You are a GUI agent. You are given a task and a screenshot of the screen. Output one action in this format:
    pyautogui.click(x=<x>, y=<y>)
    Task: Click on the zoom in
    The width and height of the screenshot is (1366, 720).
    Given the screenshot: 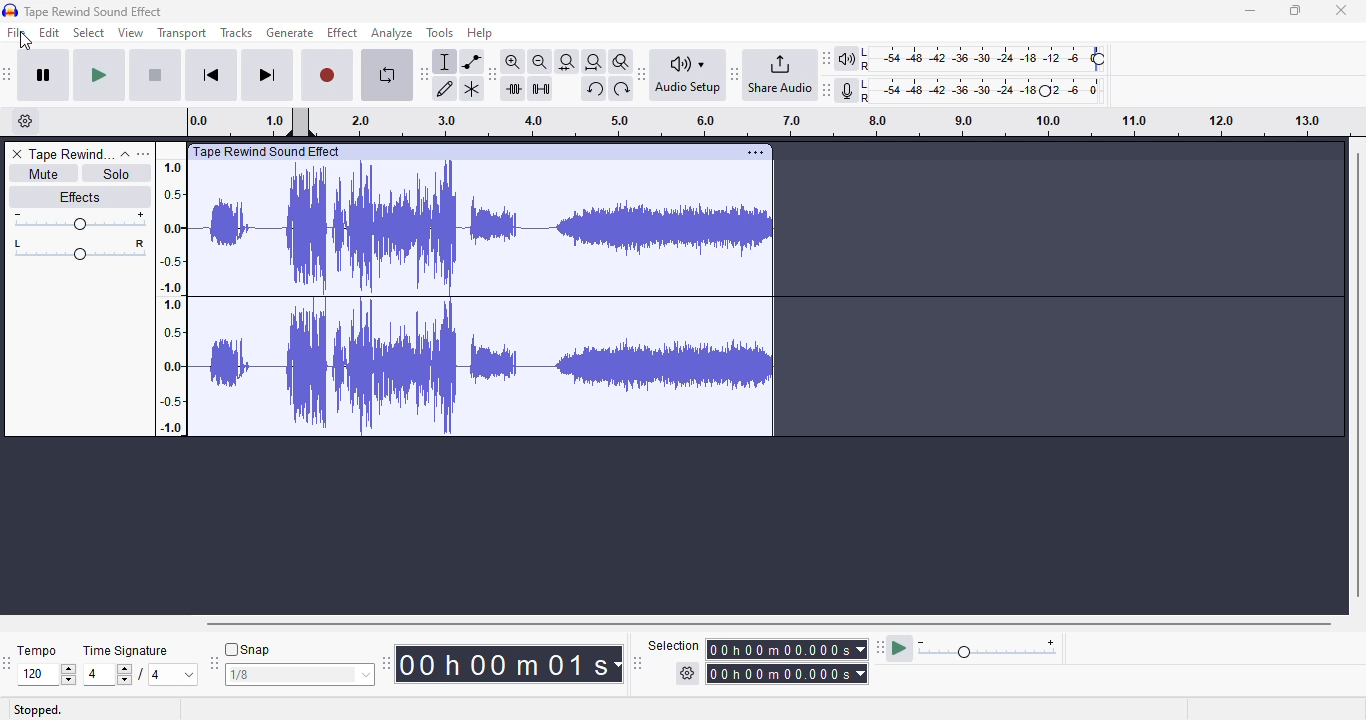 What is the action you would take?
    pyautogui.click(x=512, y=61)
    